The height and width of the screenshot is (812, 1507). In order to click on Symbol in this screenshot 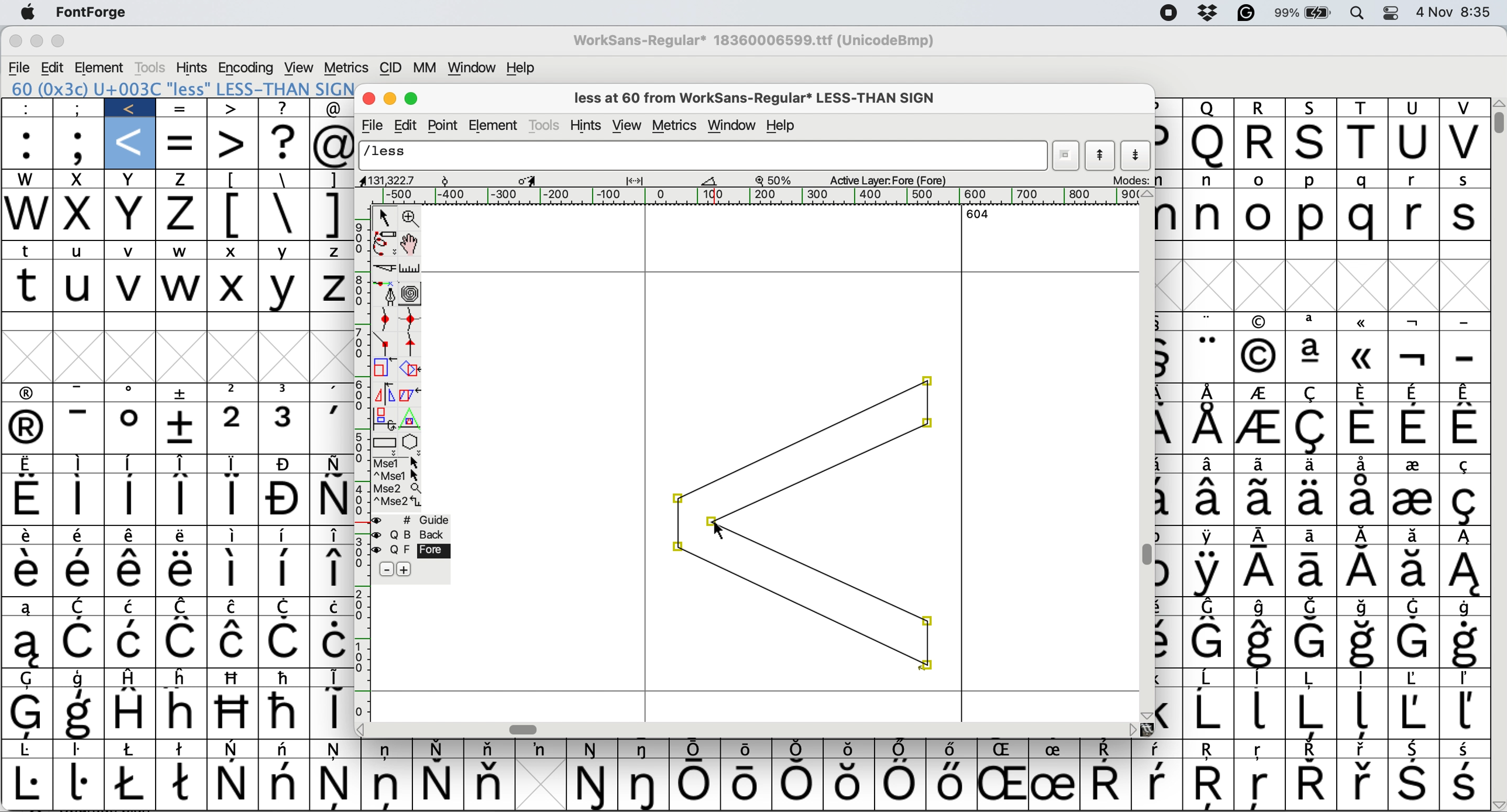, I will do `click(699, 785)`.